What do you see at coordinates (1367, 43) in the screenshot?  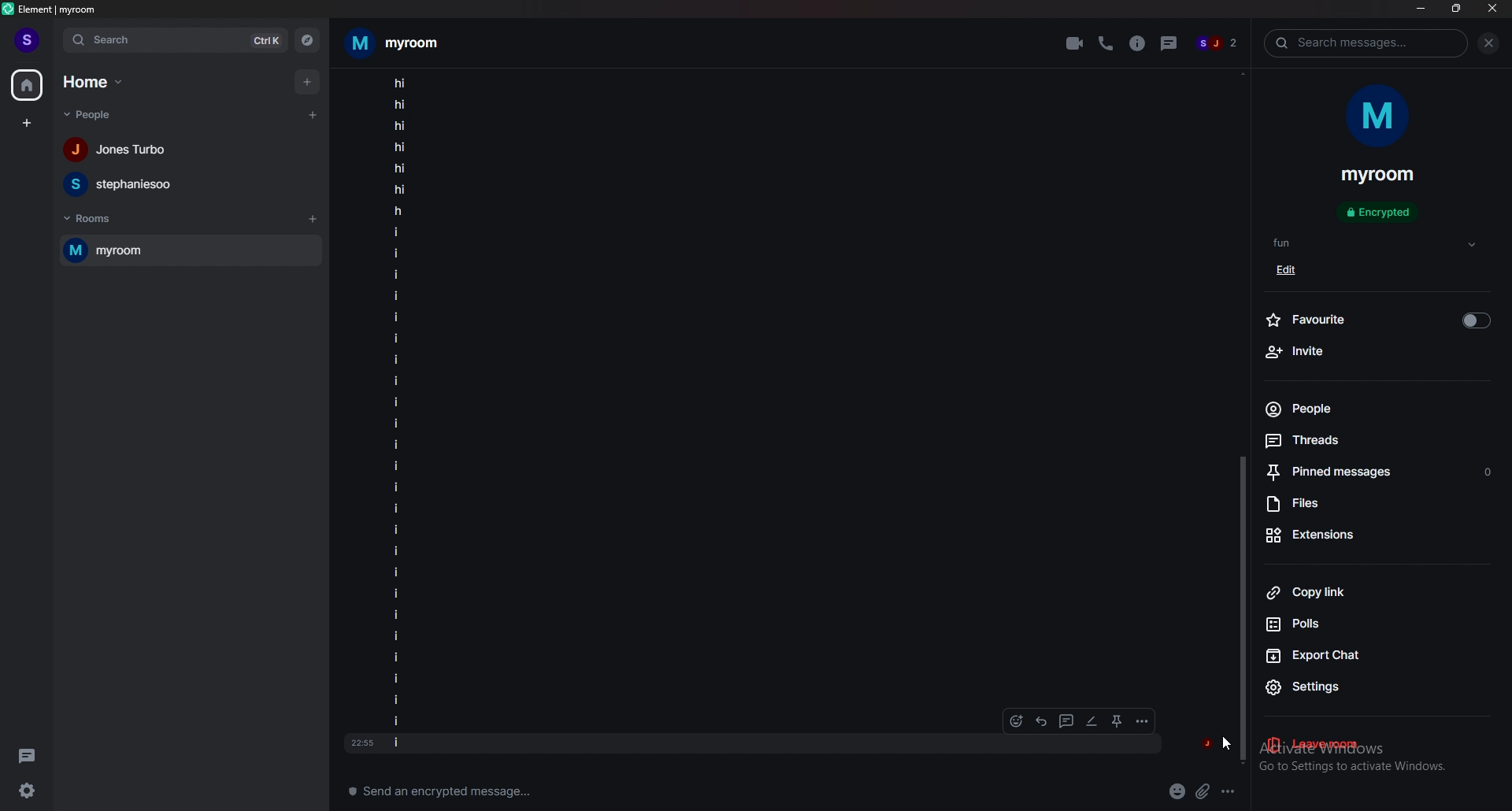 I see `search messages...` at bounding box center [1367, 43].